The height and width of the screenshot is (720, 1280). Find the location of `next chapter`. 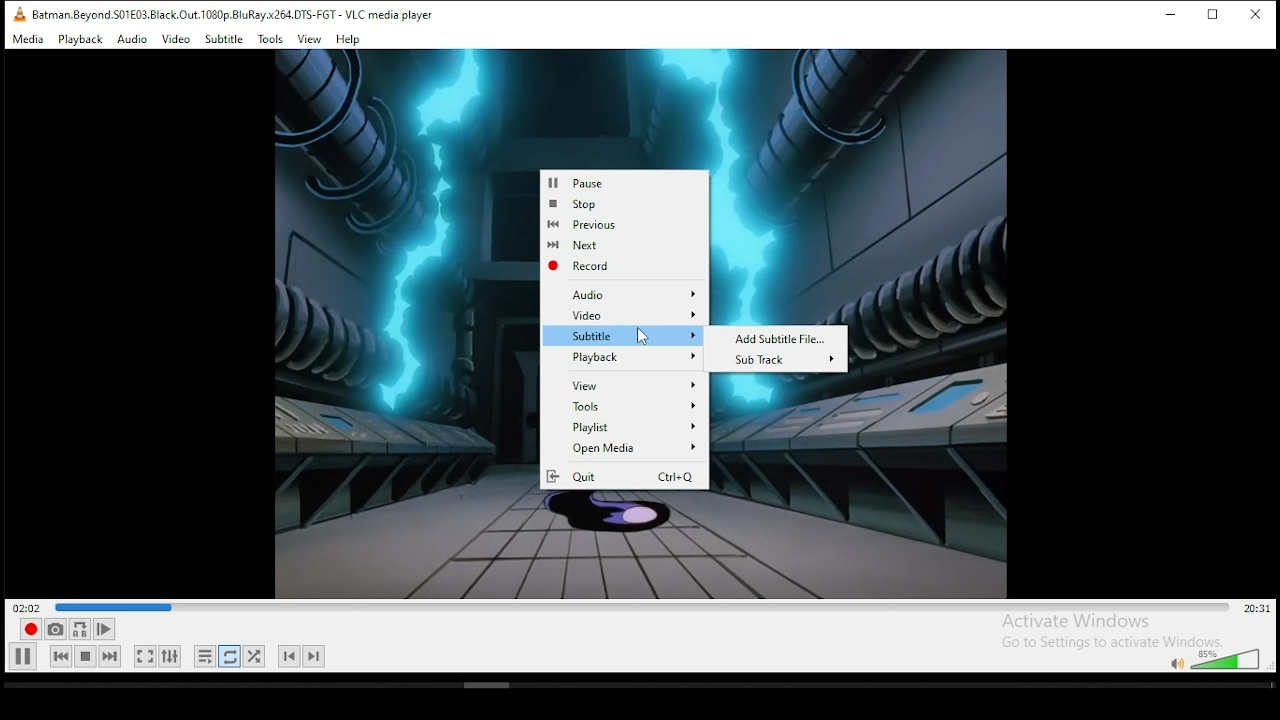

next chapter is located at coordinates (315, 656).